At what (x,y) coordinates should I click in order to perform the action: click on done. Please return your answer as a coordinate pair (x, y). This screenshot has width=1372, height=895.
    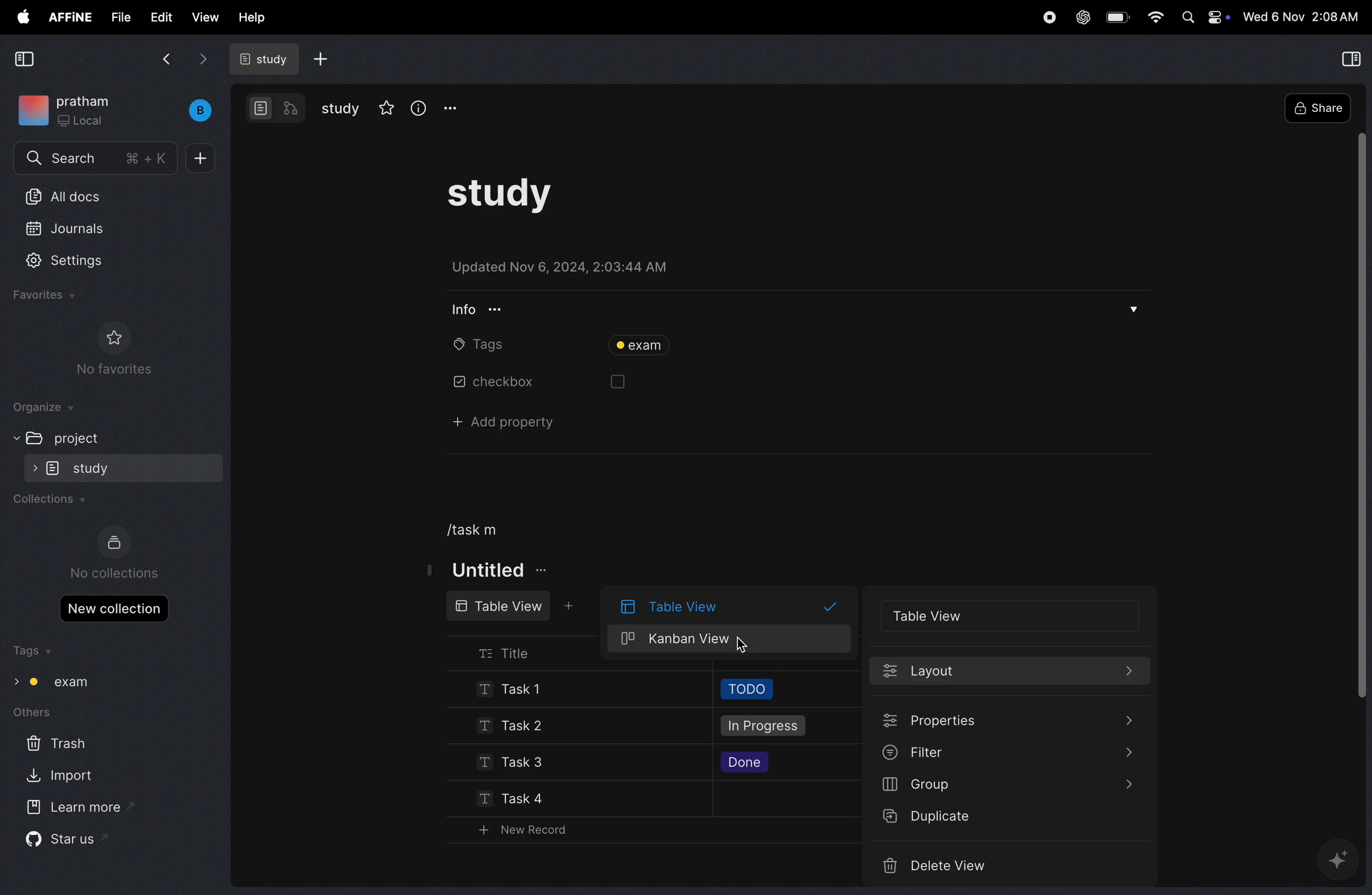
    Looking at the image, I should click on (747, 764).